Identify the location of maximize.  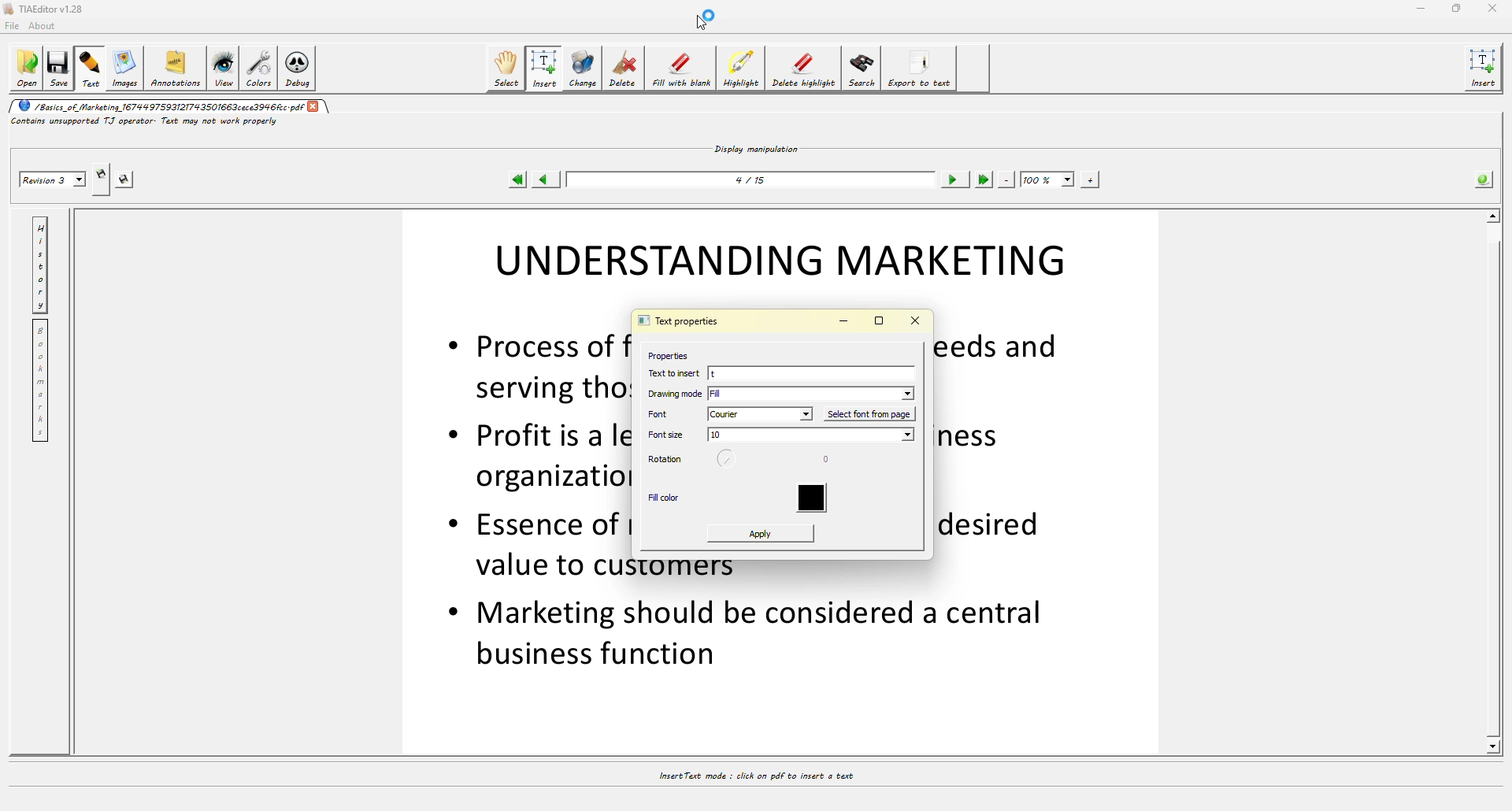
(1456, 9).